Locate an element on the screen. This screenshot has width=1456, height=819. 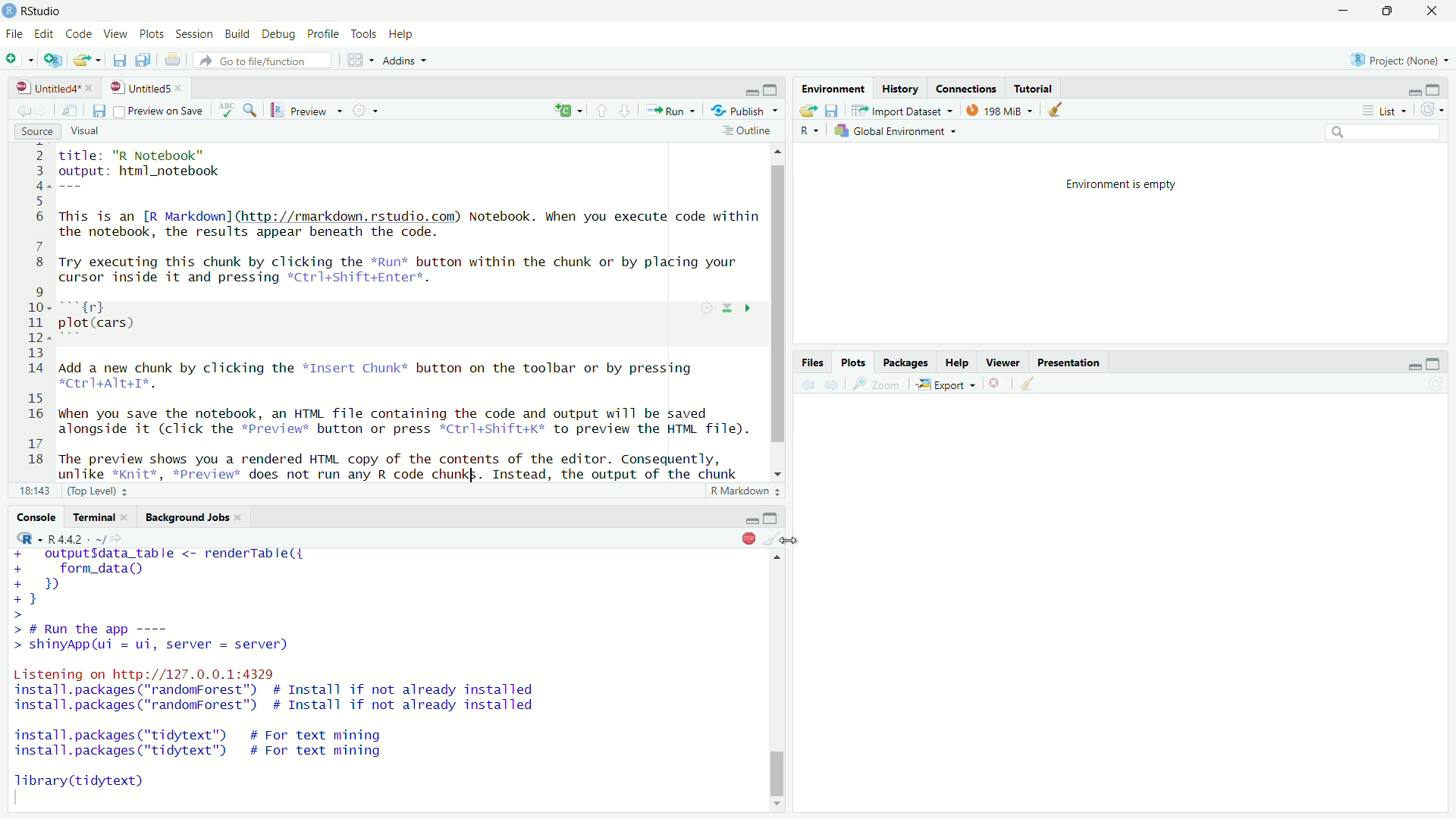
minimize is located at coordinates (1413, 91).